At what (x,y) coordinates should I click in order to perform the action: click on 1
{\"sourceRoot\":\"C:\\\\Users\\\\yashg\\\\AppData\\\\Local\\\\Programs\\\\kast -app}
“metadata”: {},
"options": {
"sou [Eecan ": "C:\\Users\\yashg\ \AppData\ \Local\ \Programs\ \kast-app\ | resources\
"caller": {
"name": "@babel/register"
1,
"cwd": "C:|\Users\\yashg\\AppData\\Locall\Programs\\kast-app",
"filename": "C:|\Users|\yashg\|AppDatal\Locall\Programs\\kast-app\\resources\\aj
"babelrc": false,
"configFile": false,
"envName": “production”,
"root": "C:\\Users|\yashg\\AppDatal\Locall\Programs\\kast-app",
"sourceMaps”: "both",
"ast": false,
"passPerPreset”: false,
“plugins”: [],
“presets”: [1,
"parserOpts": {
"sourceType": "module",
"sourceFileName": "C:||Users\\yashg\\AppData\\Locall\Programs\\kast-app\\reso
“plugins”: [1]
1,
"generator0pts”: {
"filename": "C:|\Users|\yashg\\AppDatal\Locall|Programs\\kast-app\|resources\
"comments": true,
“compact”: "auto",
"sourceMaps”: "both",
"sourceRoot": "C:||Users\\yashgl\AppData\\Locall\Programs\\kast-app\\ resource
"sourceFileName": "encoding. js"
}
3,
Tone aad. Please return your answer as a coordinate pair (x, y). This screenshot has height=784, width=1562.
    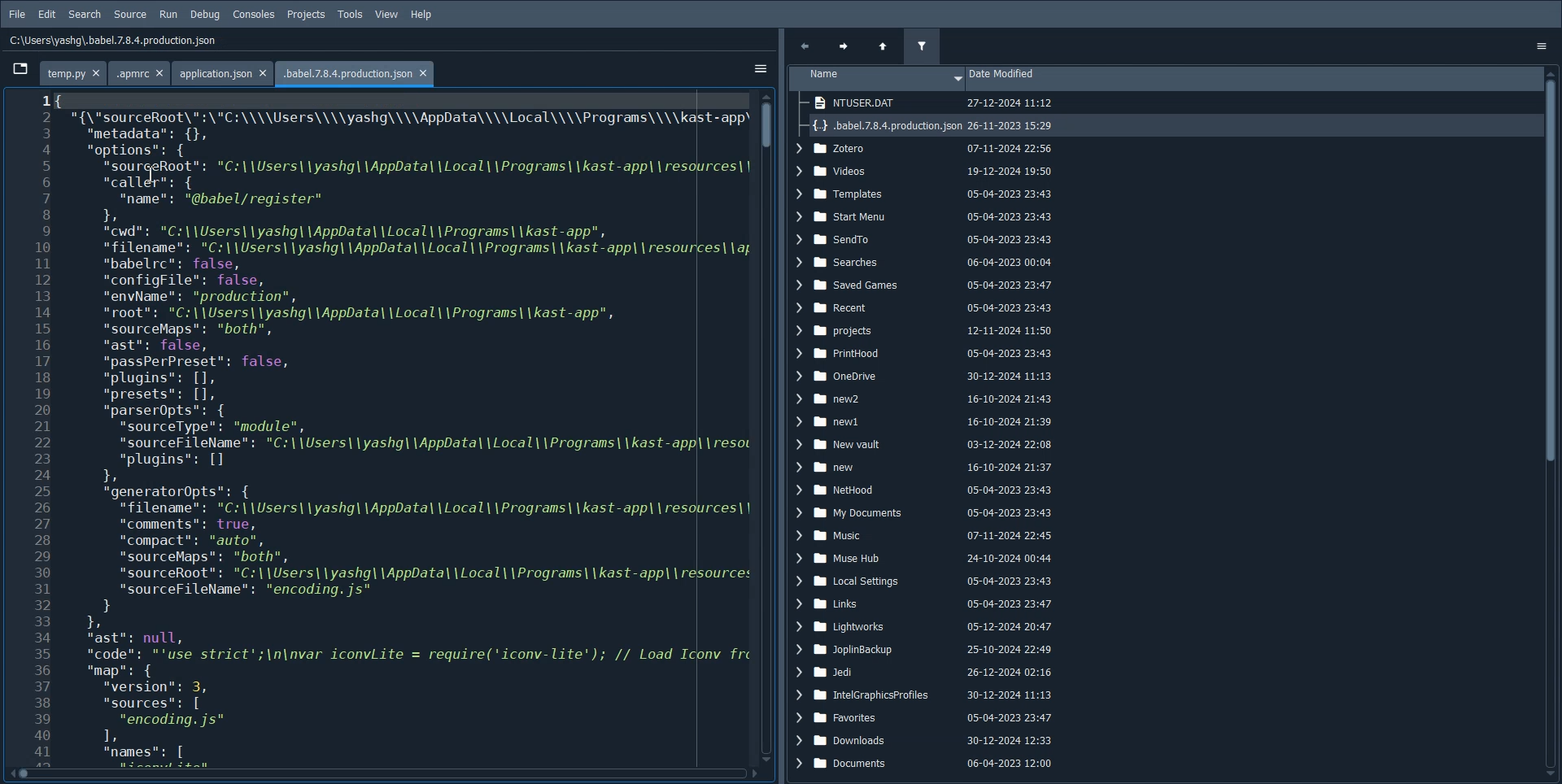
    Looking at the image, I should click on (404, 425).